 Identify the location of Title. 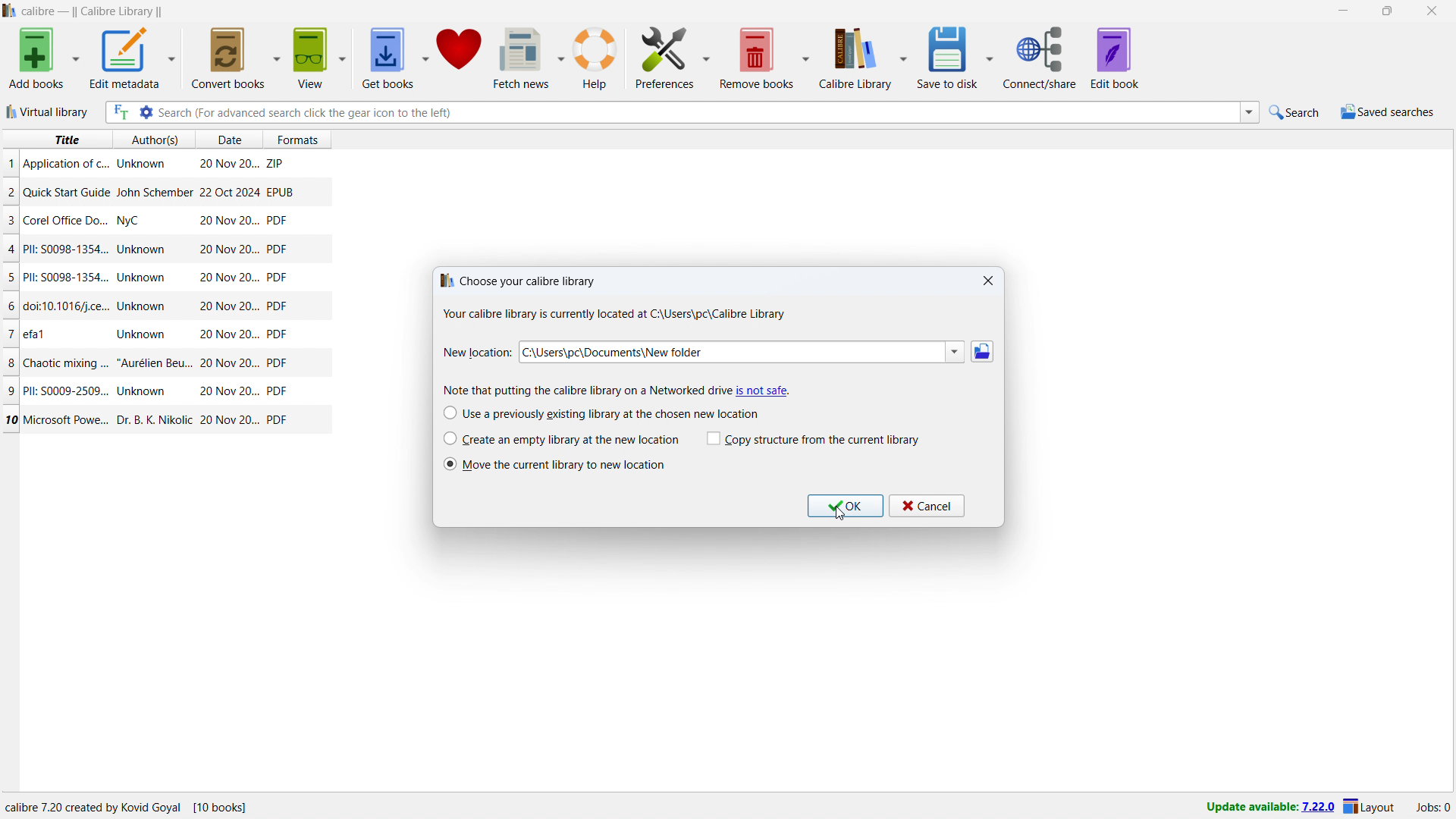
(68, 307).